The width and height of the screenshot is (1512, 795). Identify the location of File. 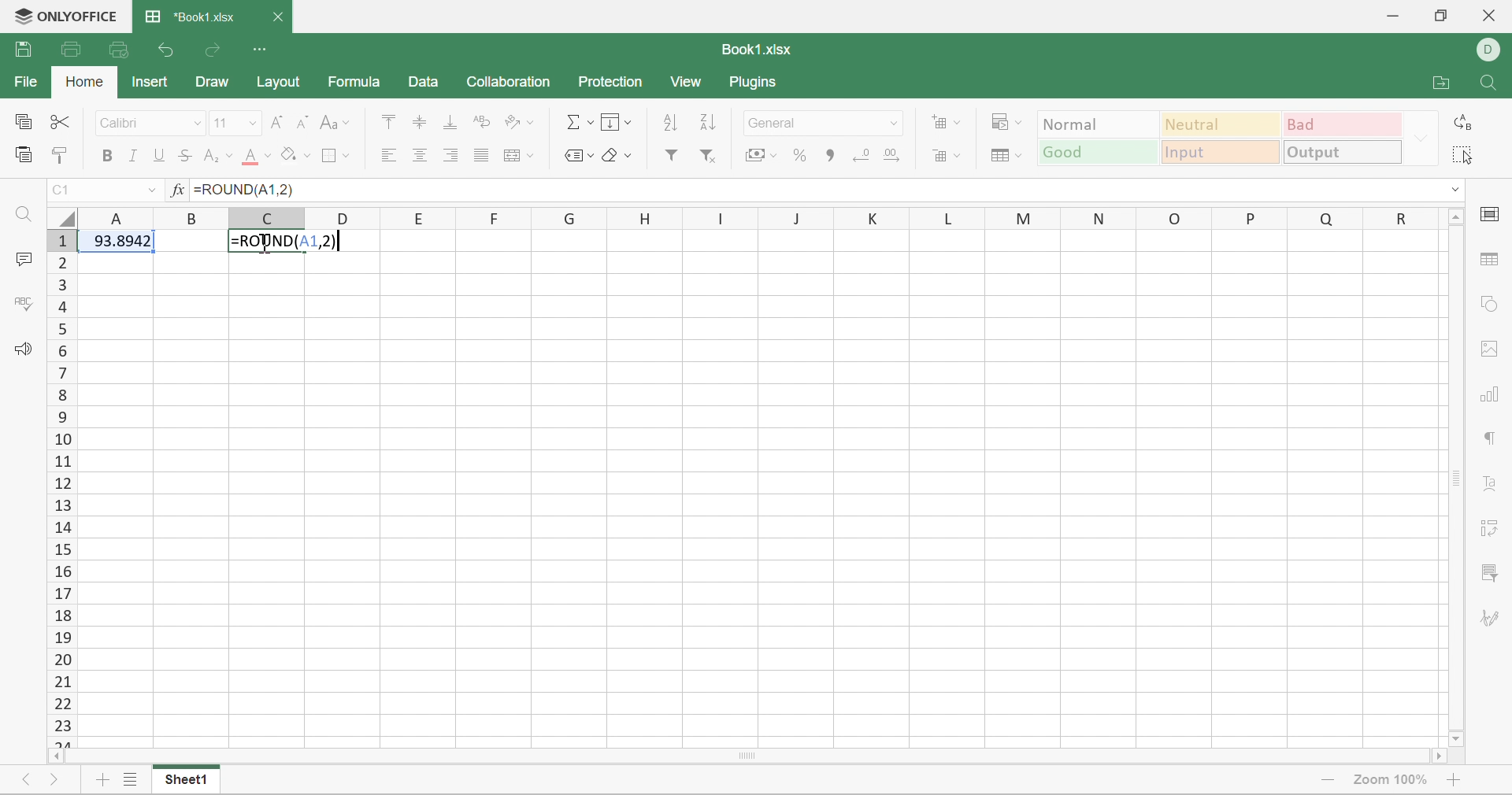
(24, 80).